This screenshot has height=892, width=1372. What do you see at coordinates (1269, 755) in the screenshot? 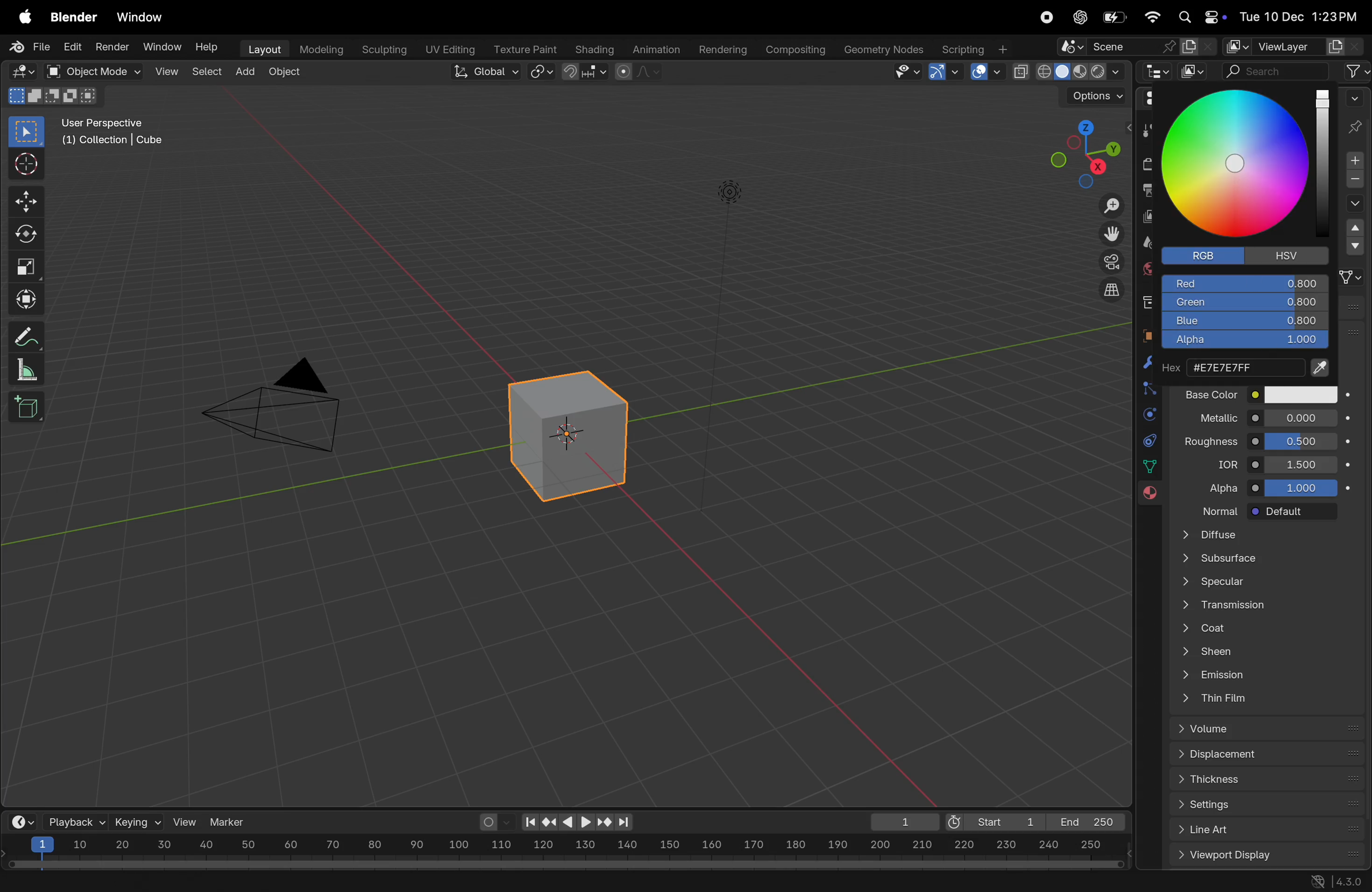
I see `displacement` at bounding box center [1269, 755].